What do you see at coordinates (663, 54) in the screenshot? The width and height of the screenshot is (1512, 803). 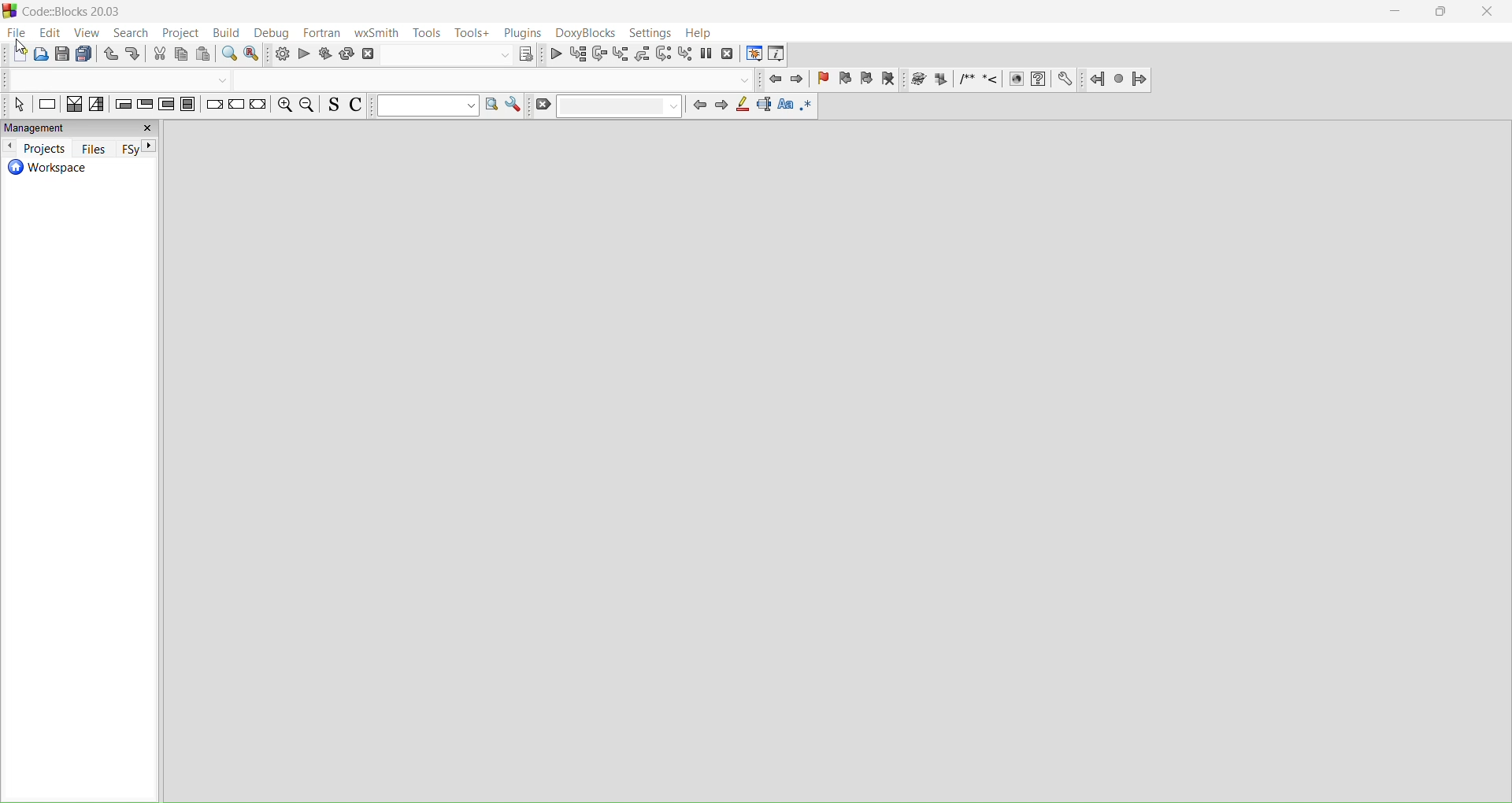 I see `next instruction` at bounding box center [663, 54].